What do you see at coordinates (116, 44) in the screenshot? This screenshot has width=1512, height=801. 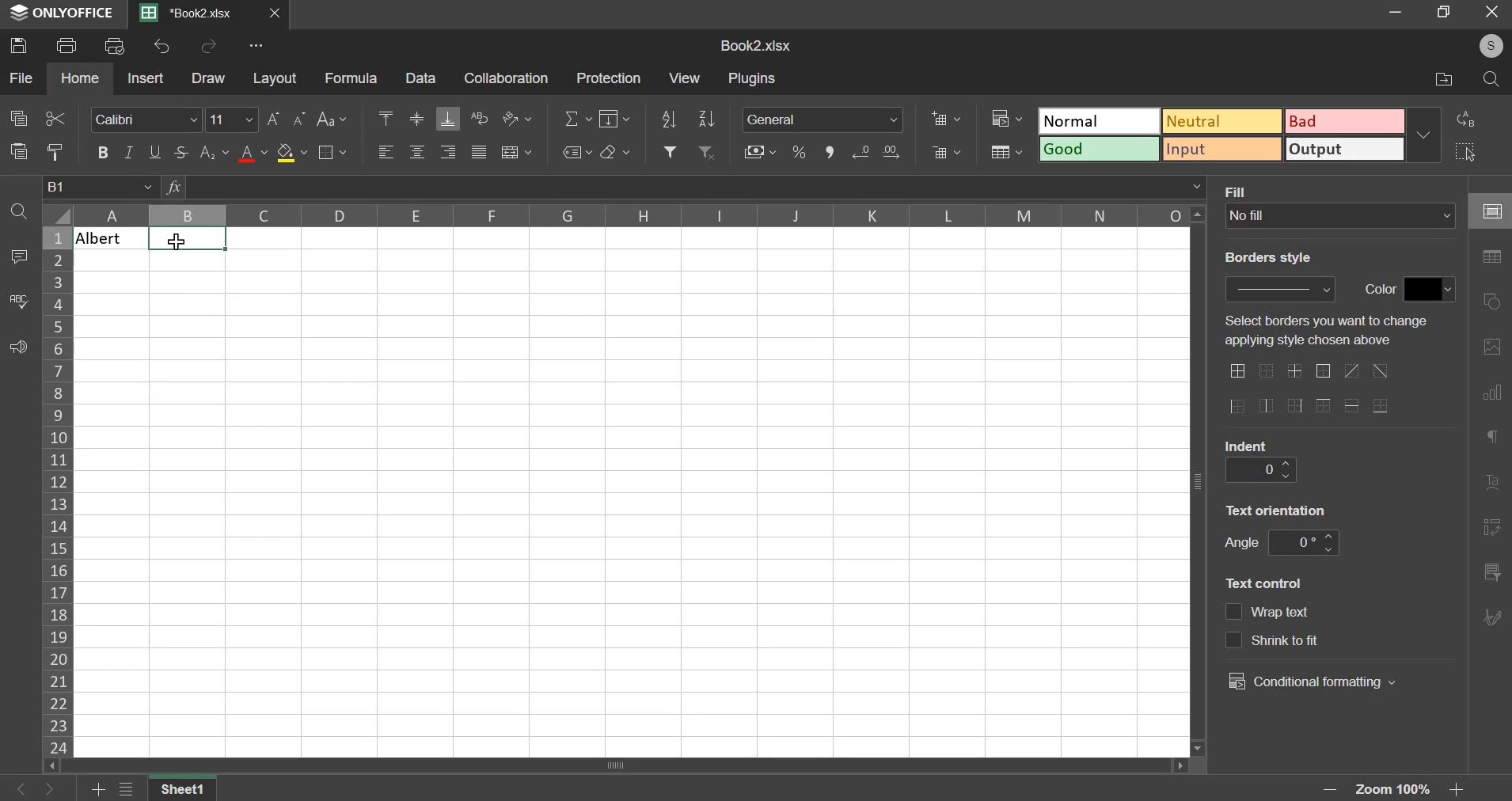 I see `print preview` at bounding box center [116, 44].